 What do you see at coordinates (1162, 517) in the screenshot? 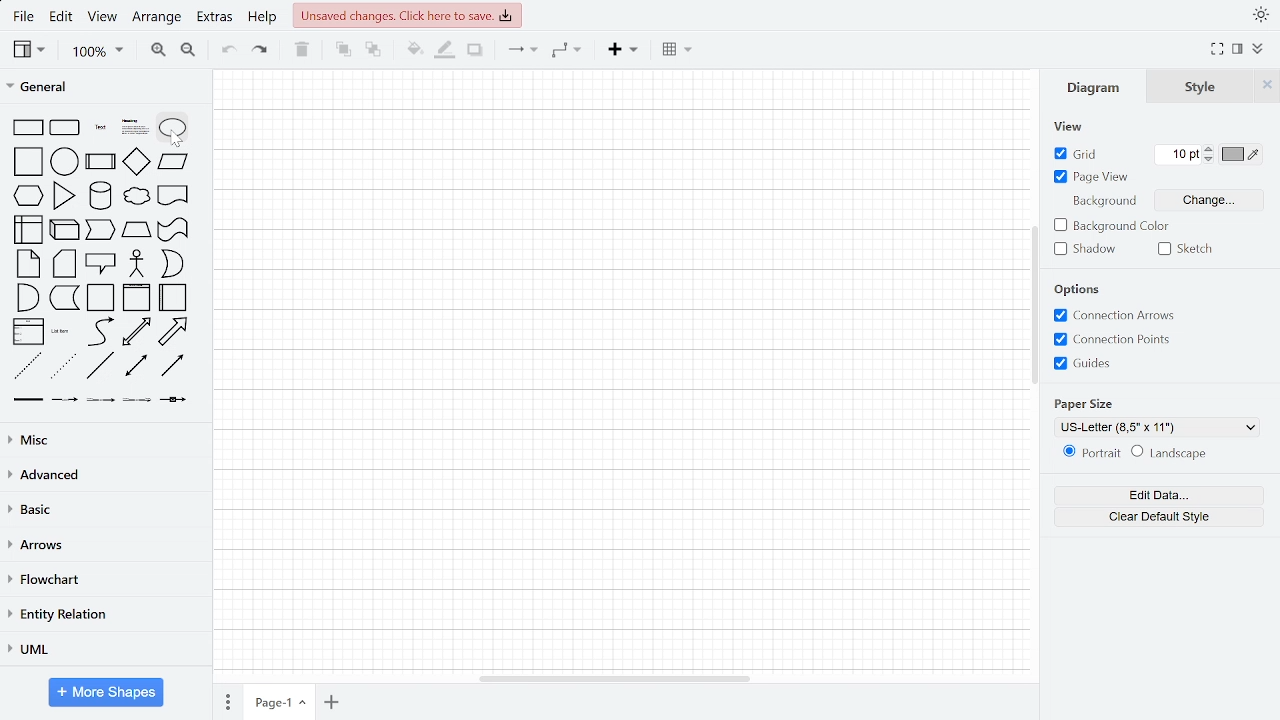
I see `clear default style` at bounding box center [1162, 517].